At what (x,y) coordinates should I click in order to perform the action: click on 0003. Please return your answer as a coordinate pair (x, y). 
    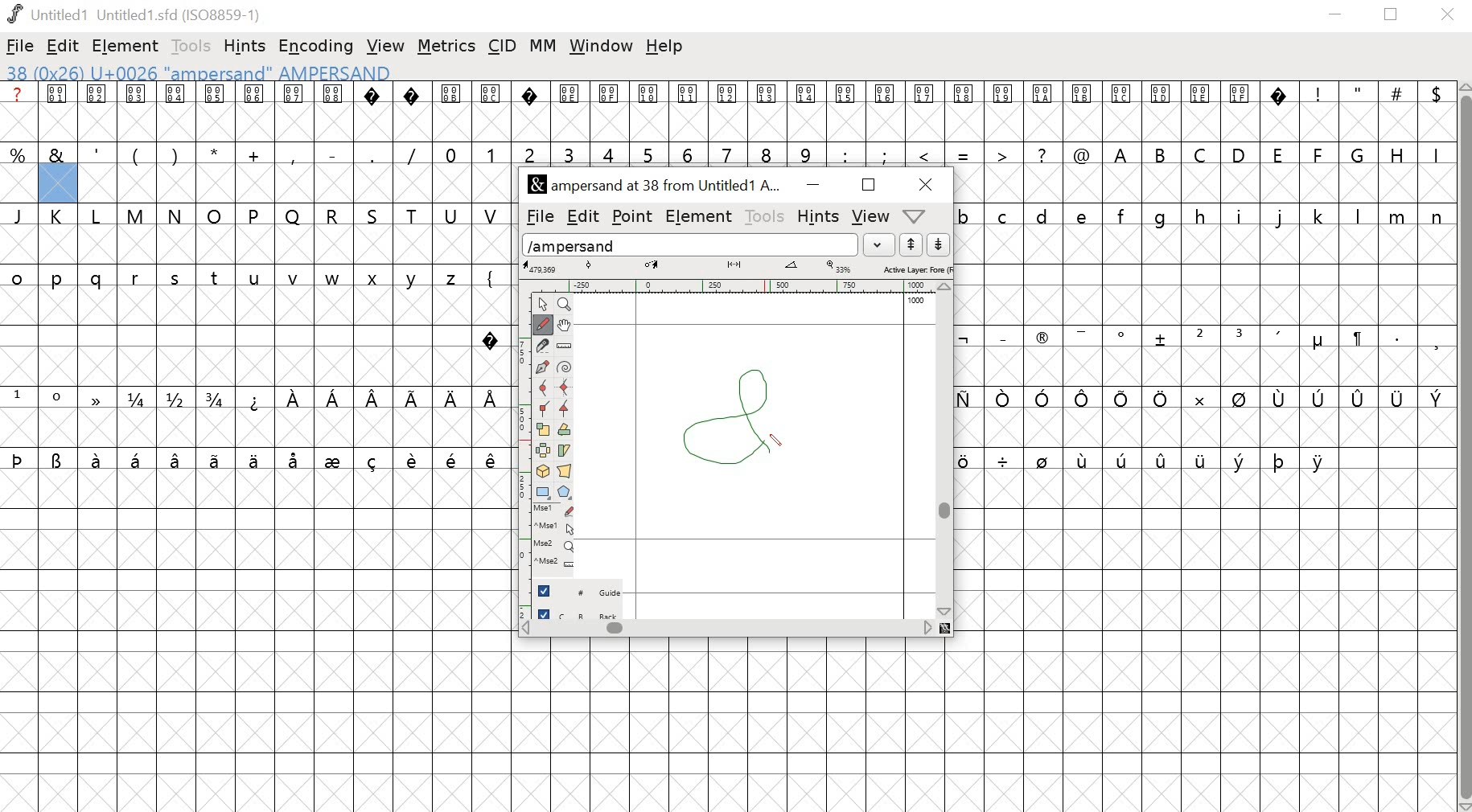
    Looking at the image, I should click on (137, 111).